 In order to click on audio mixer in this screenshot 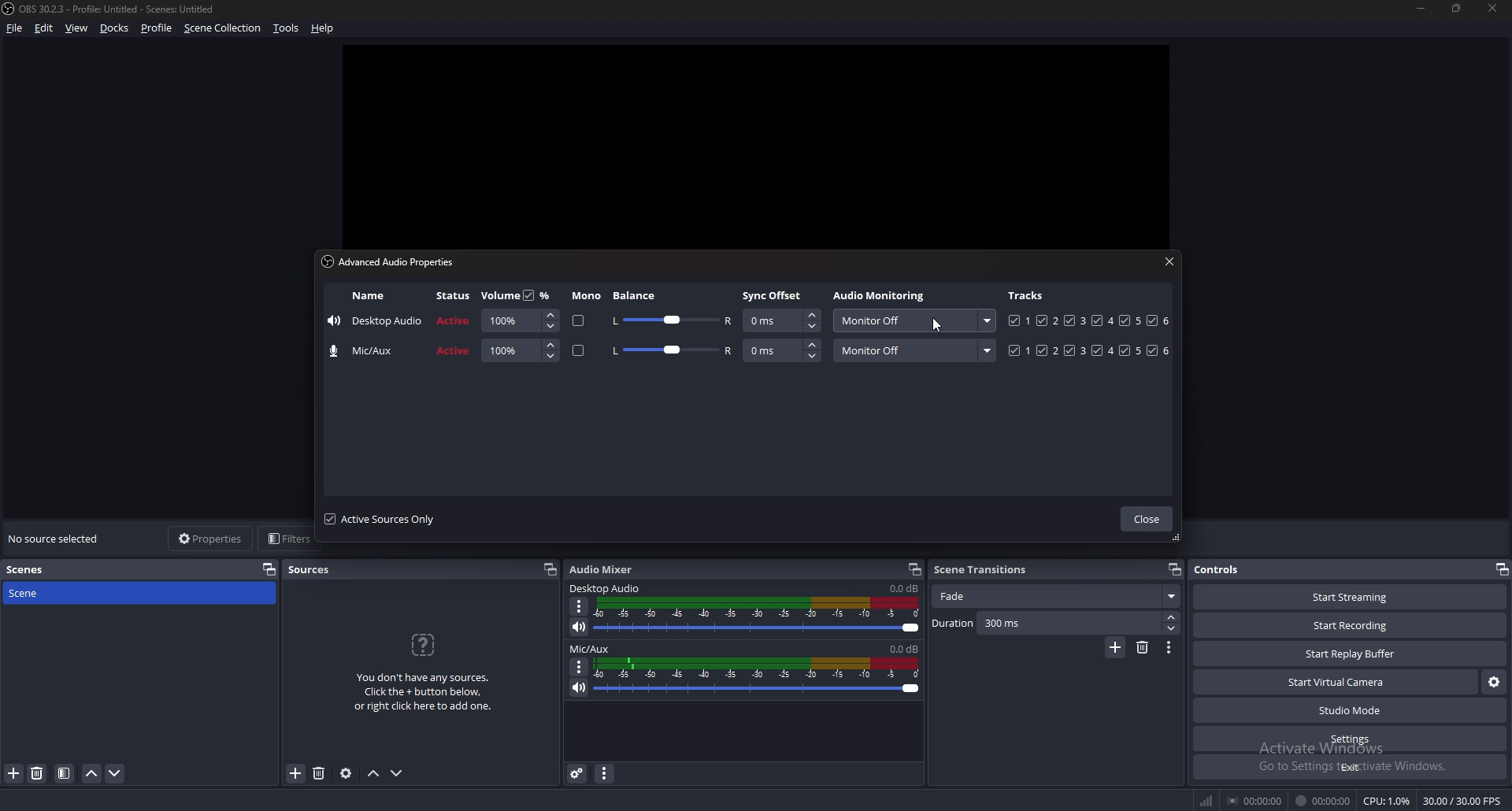, I will do `click(607, 570)`.